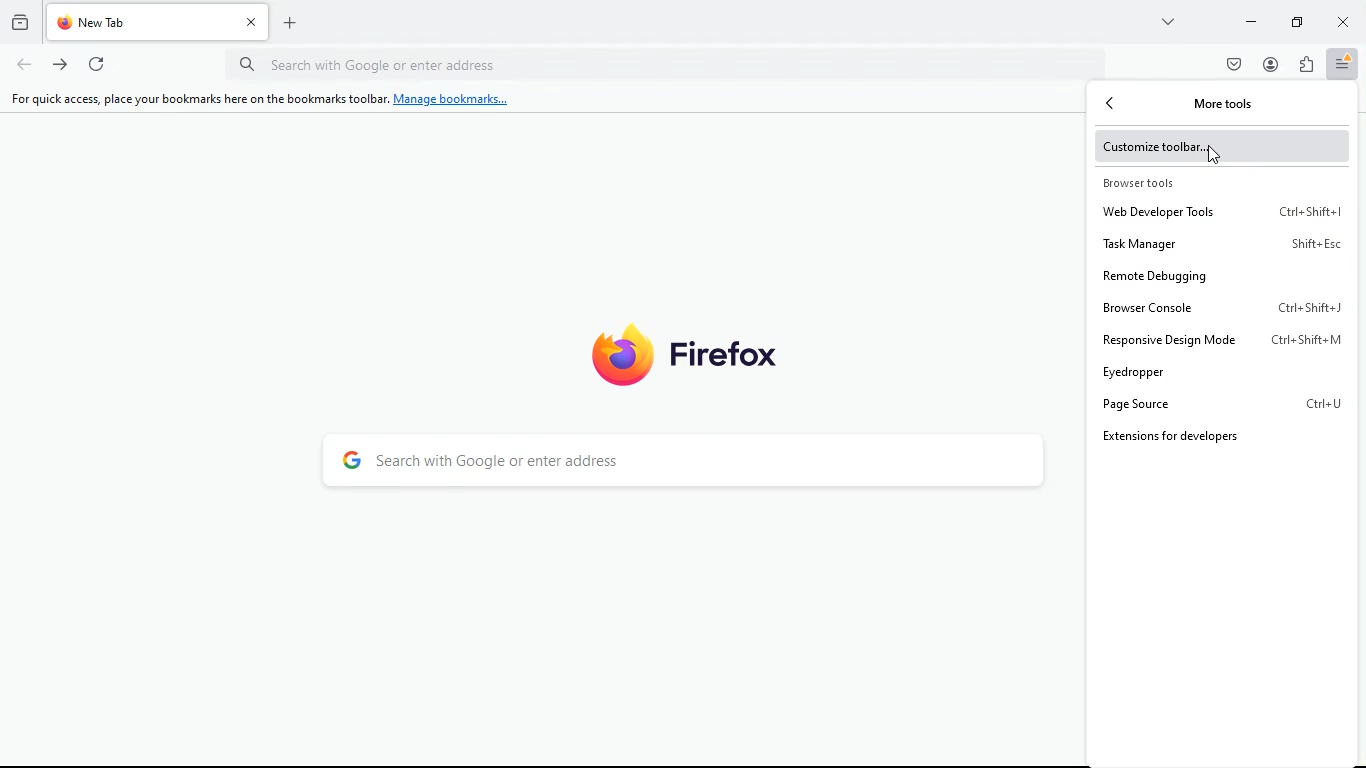 Image resolution: width=1366 pixels, height=768 pixels. Describe the element at coordinates (1216, 156) in the screenshot. I see `Cursor` at that location.